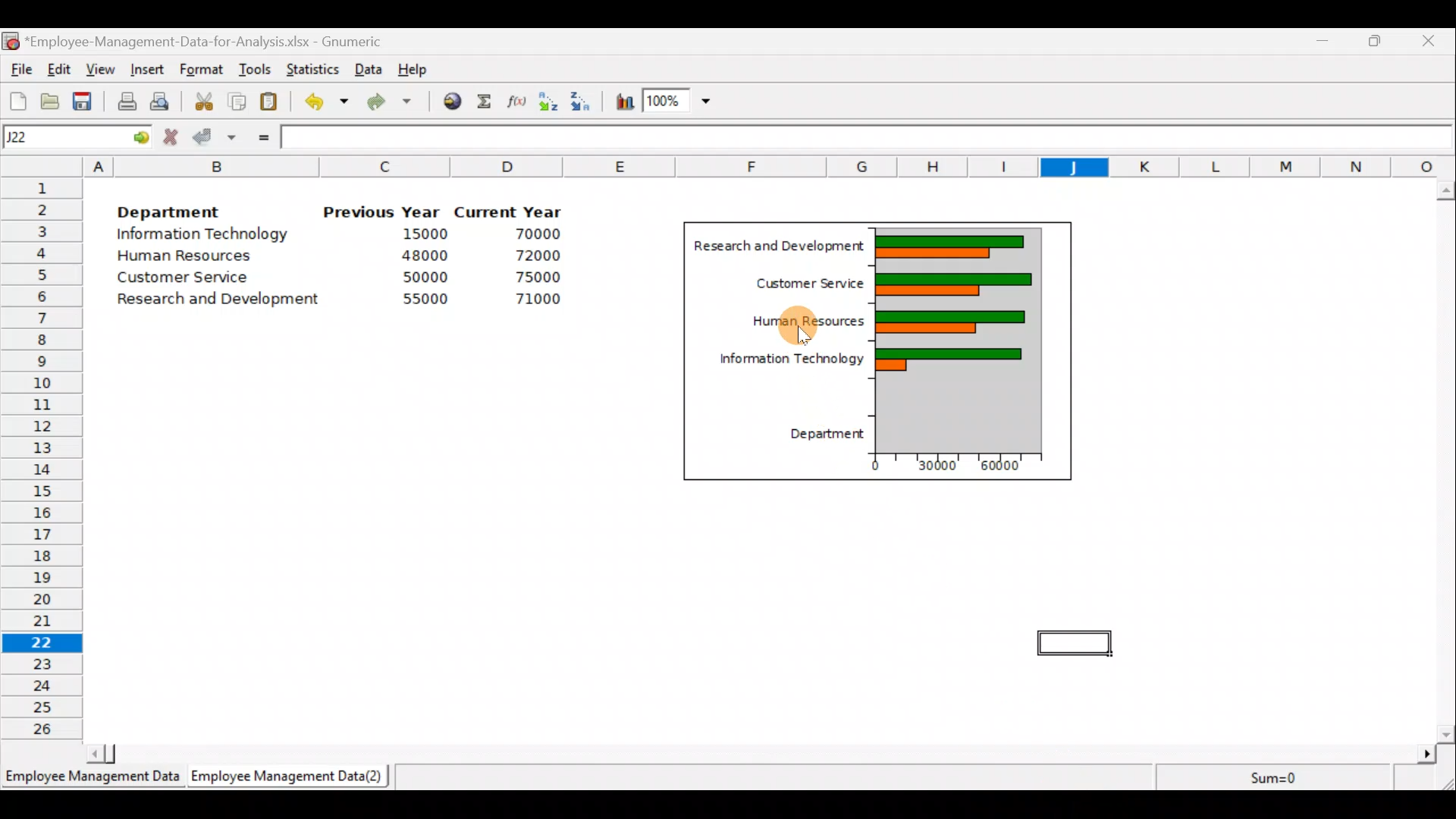  Describe the element at coordinates (525, 279) in the screenshot. I see `75000` at that location.